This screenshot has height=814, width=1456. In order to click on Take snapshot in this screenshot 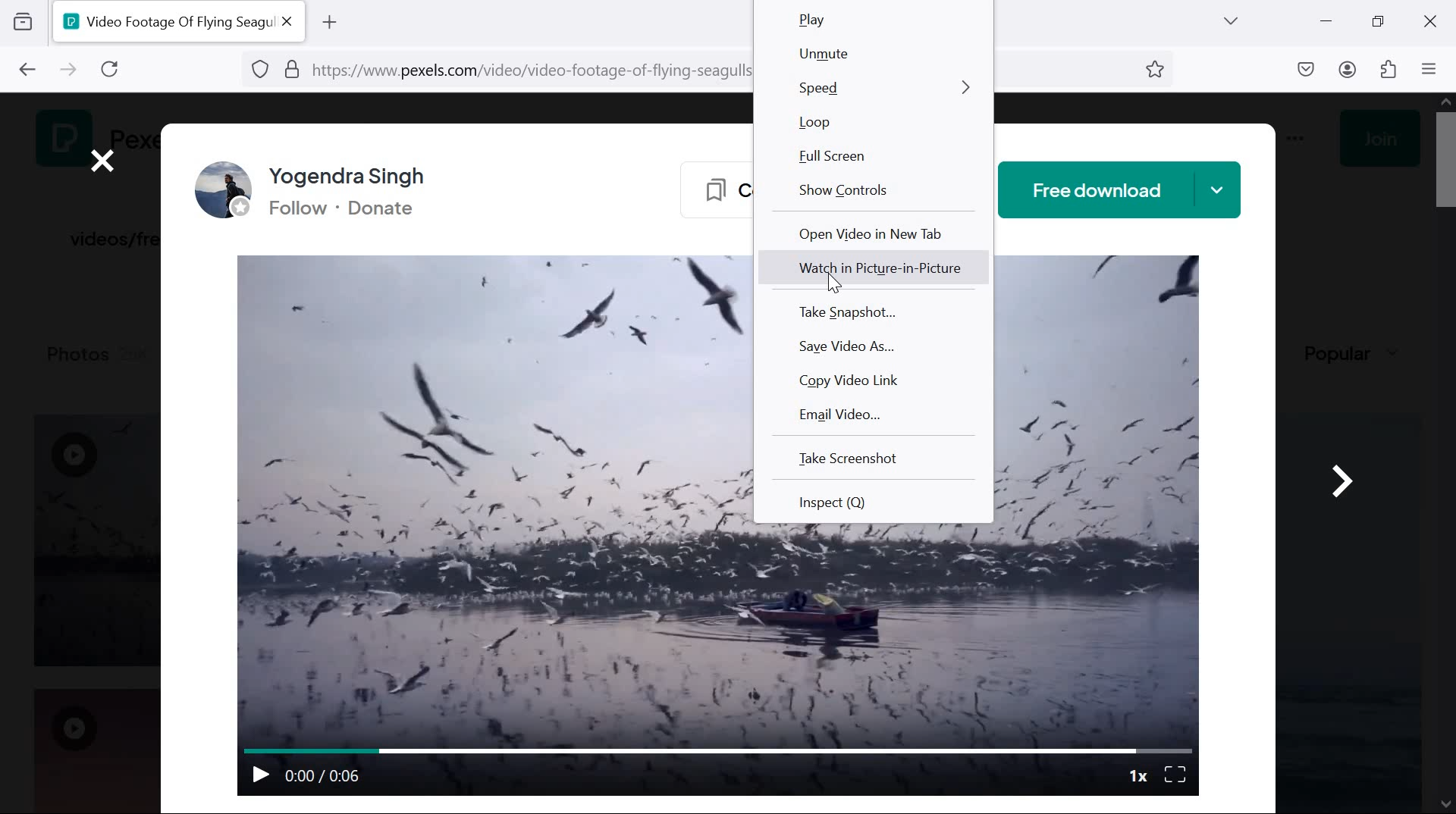, I will do `click(871, 313)`.